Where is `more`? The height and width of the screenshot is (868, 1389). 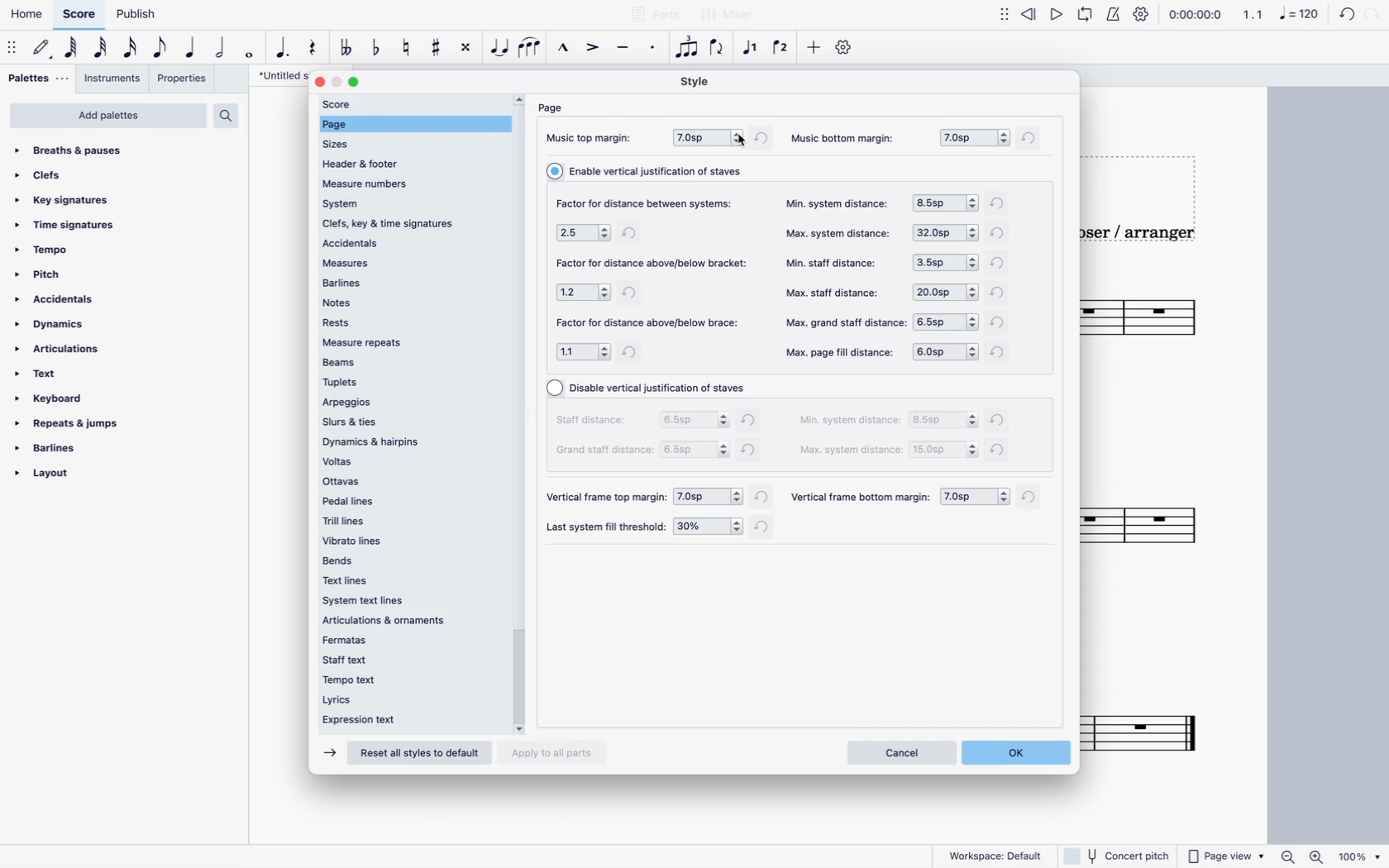 more is located at coordinates (814, 51).